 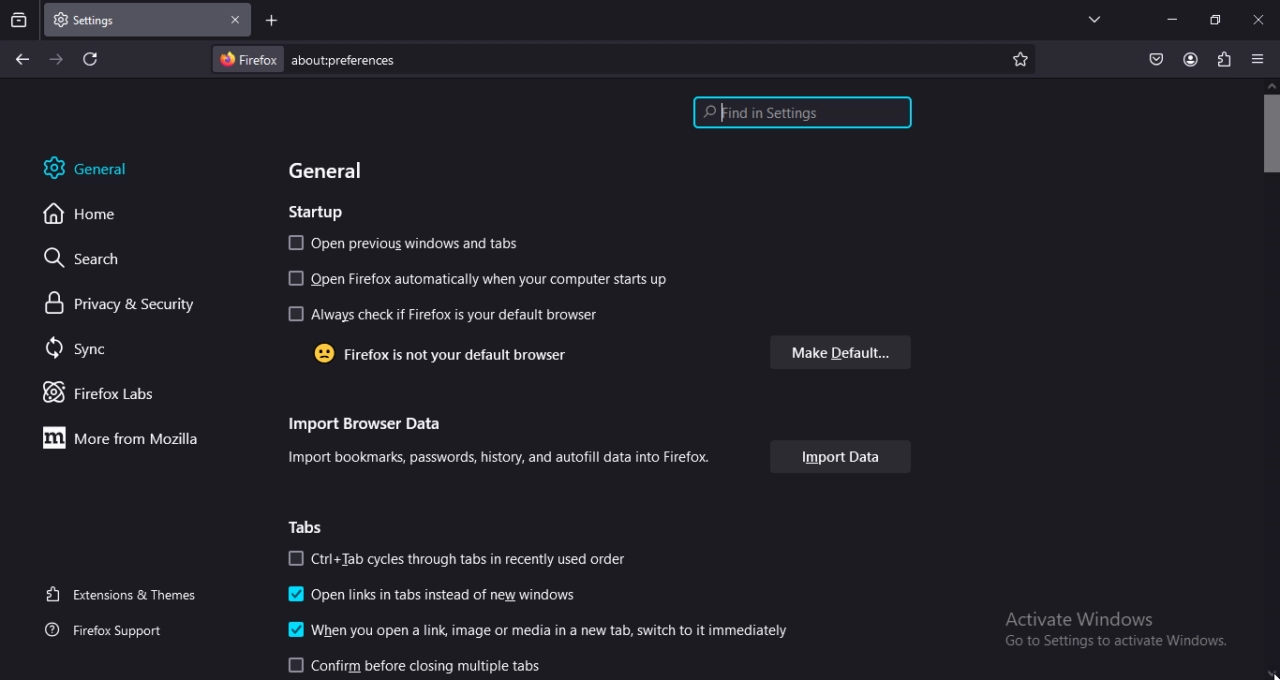 What do you see at coordinates (1153, 57) in the screenshot?
I see `save to pocket` at bounding box center [1153, 57].